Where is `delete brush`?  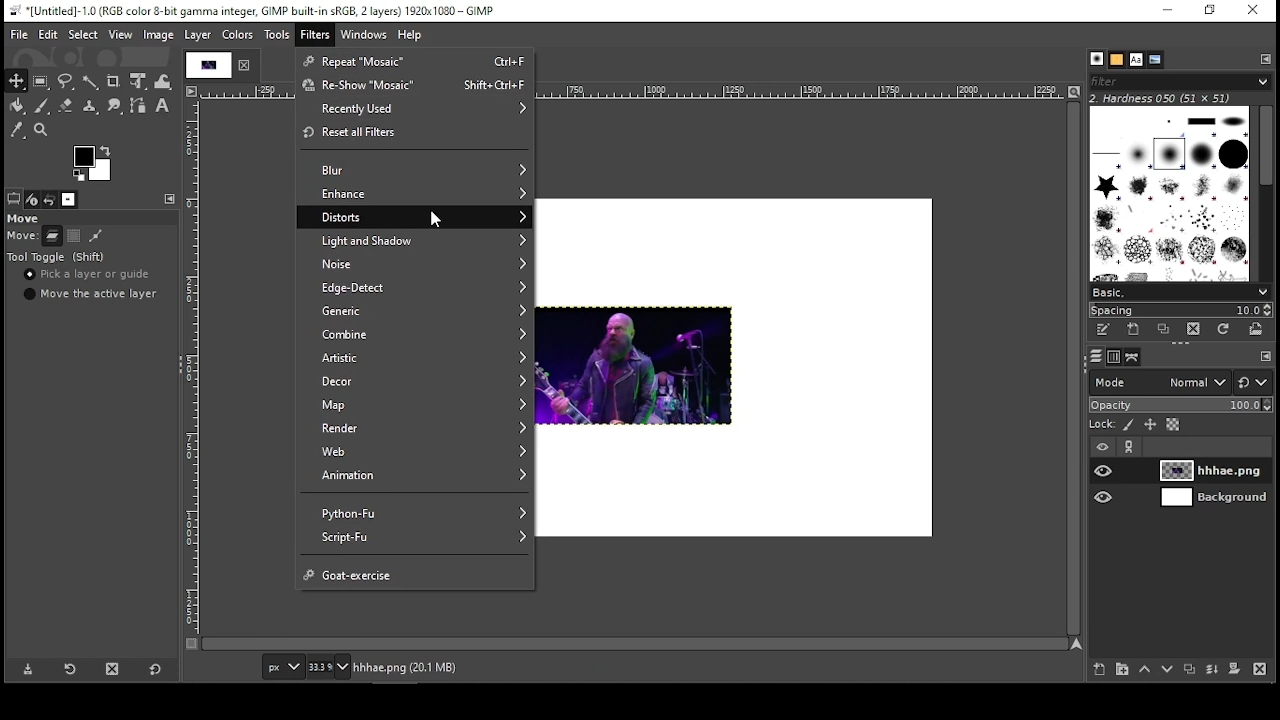 delete brush is located at coordinates (1192, 330).